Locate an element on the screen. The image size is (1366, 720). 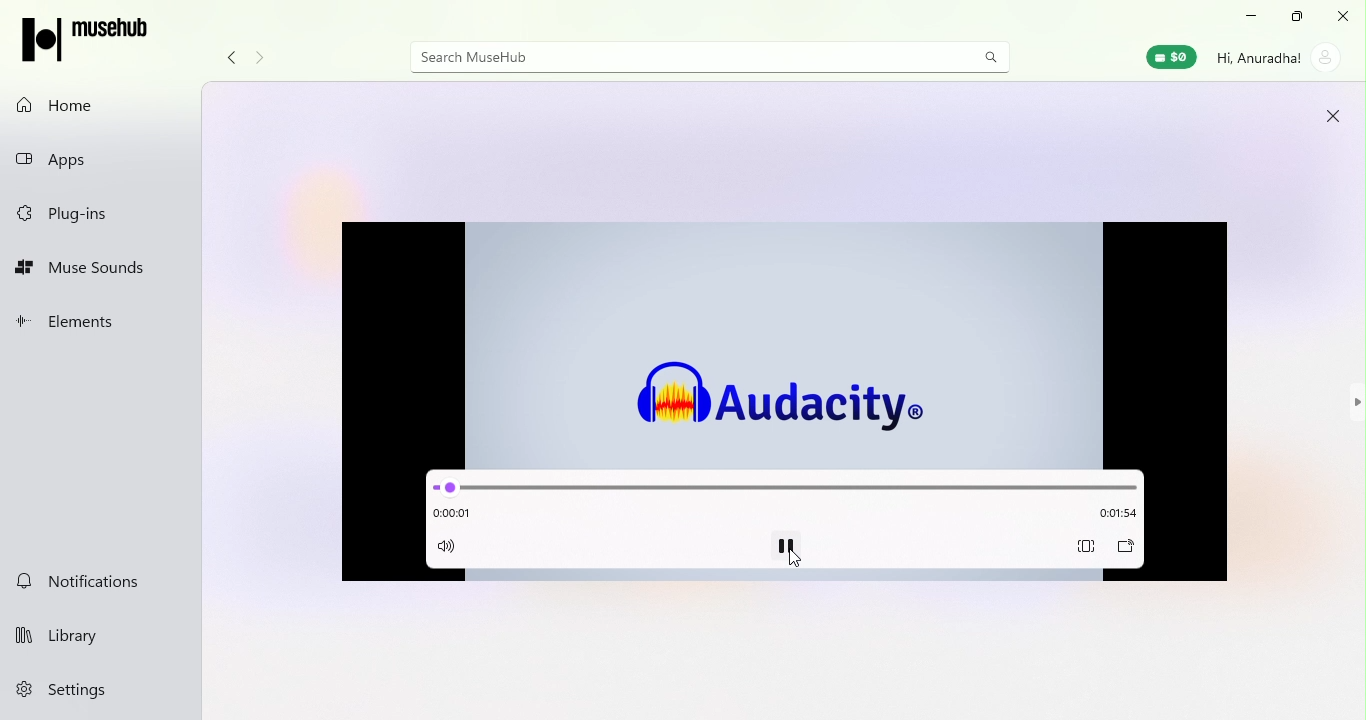
Cast to device is located at coordinates (1124, 547).